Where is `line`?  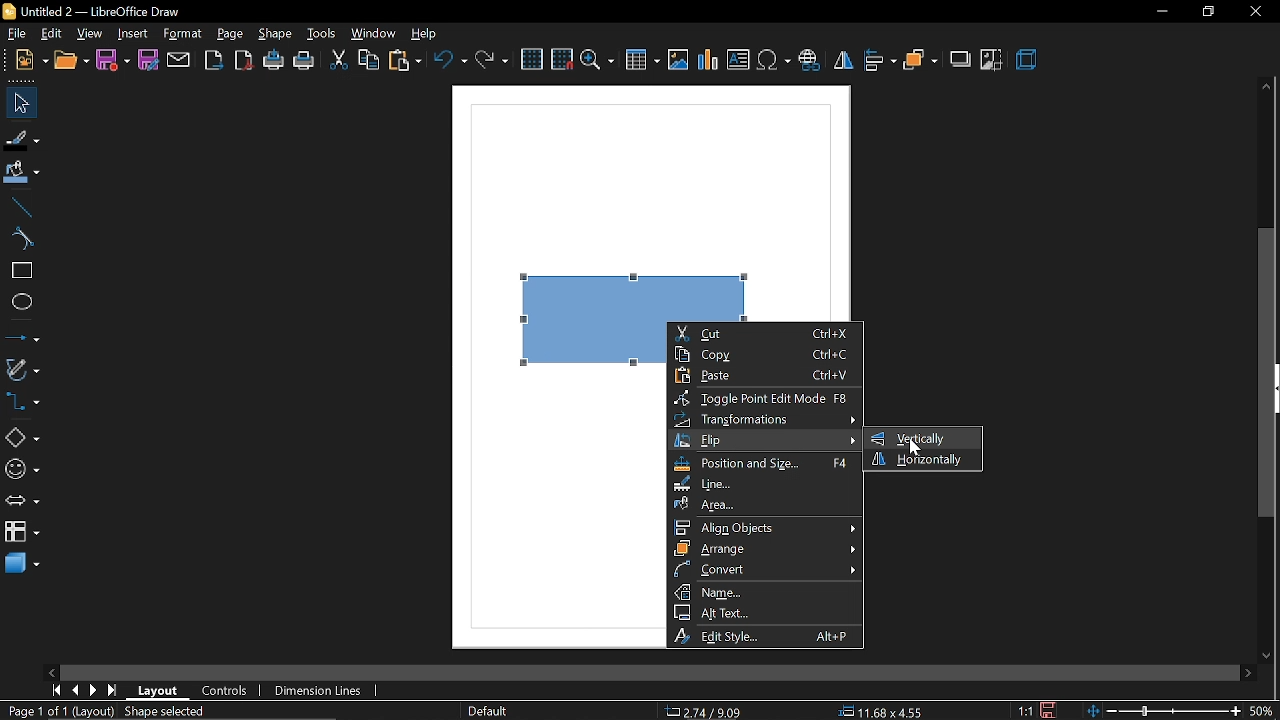
line is located at coordinates (18, 208).